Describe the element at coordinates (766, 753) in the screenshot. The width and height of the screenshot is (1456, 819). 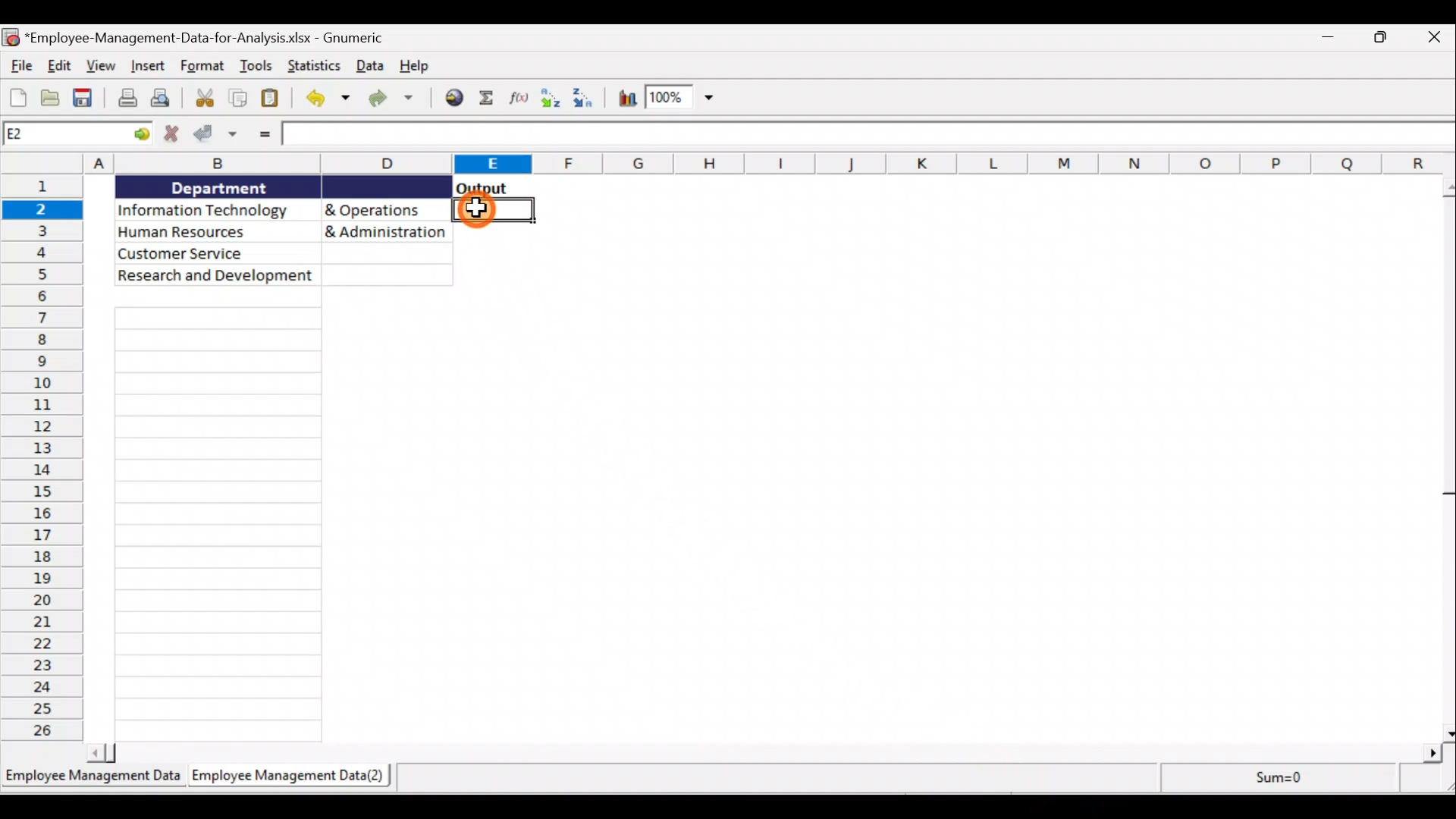
I see `scroll bar` at that location.